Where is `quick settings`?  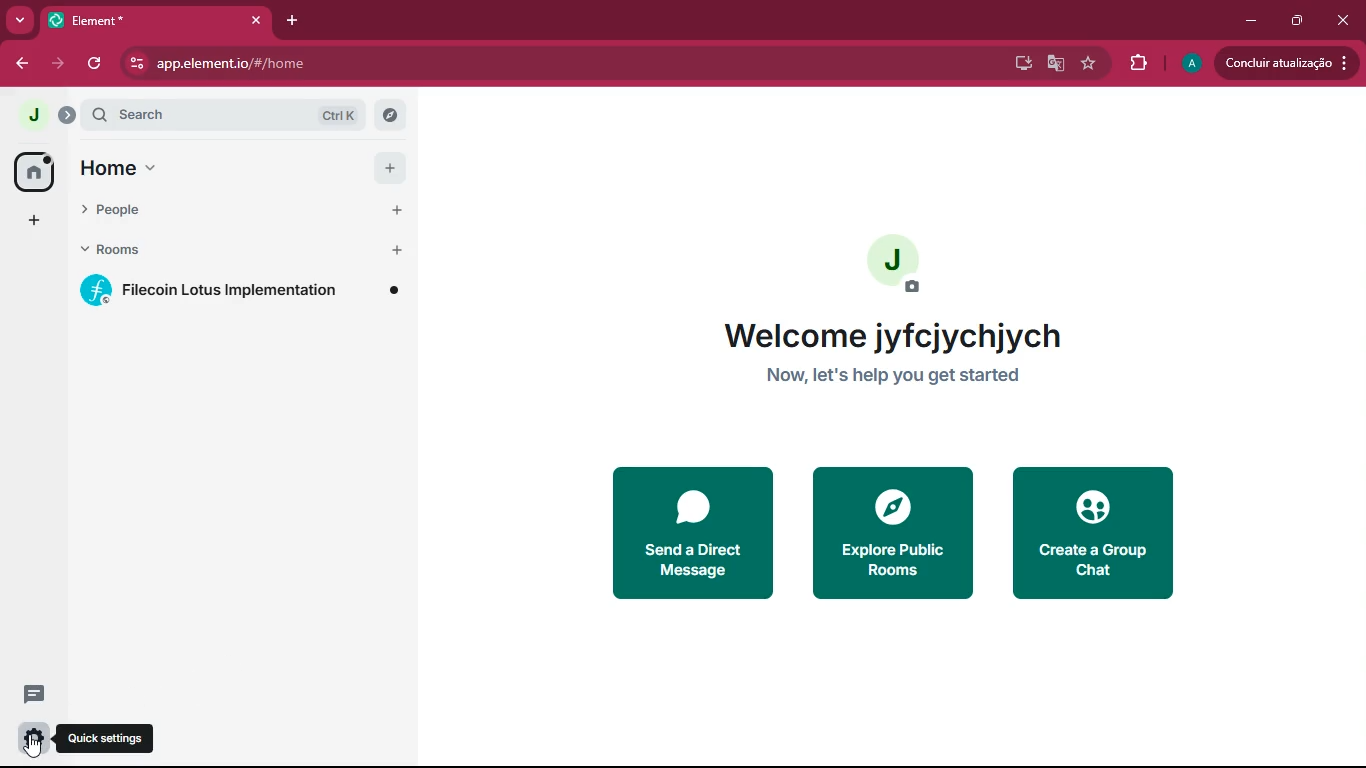 quick settings is located at coordinates (34, 738).